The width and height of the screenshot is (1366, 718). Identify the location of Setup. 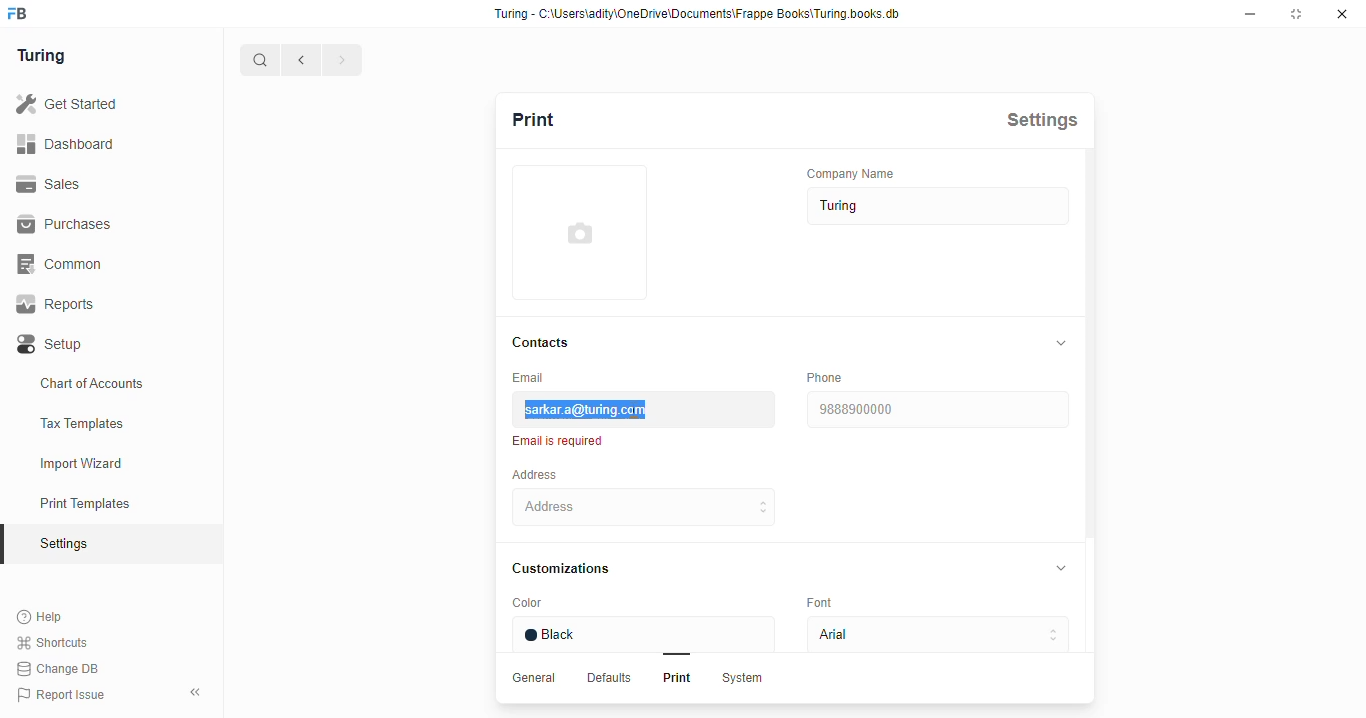
(92, 344).